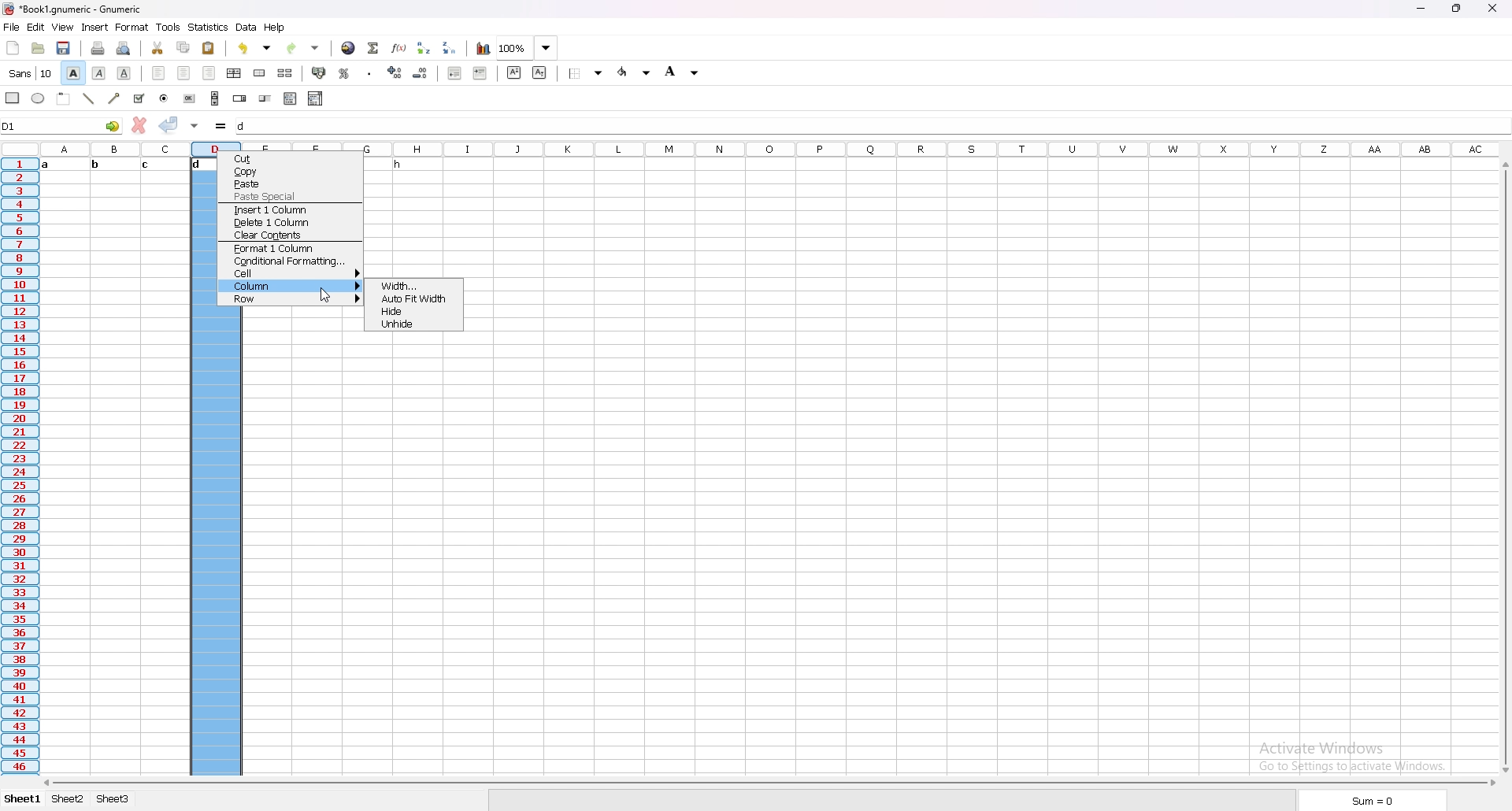 This screenshot has width=1512, height=811. Describe the element at coordinates (290, 235) in the screenshot. I see `clear contents` at that location.